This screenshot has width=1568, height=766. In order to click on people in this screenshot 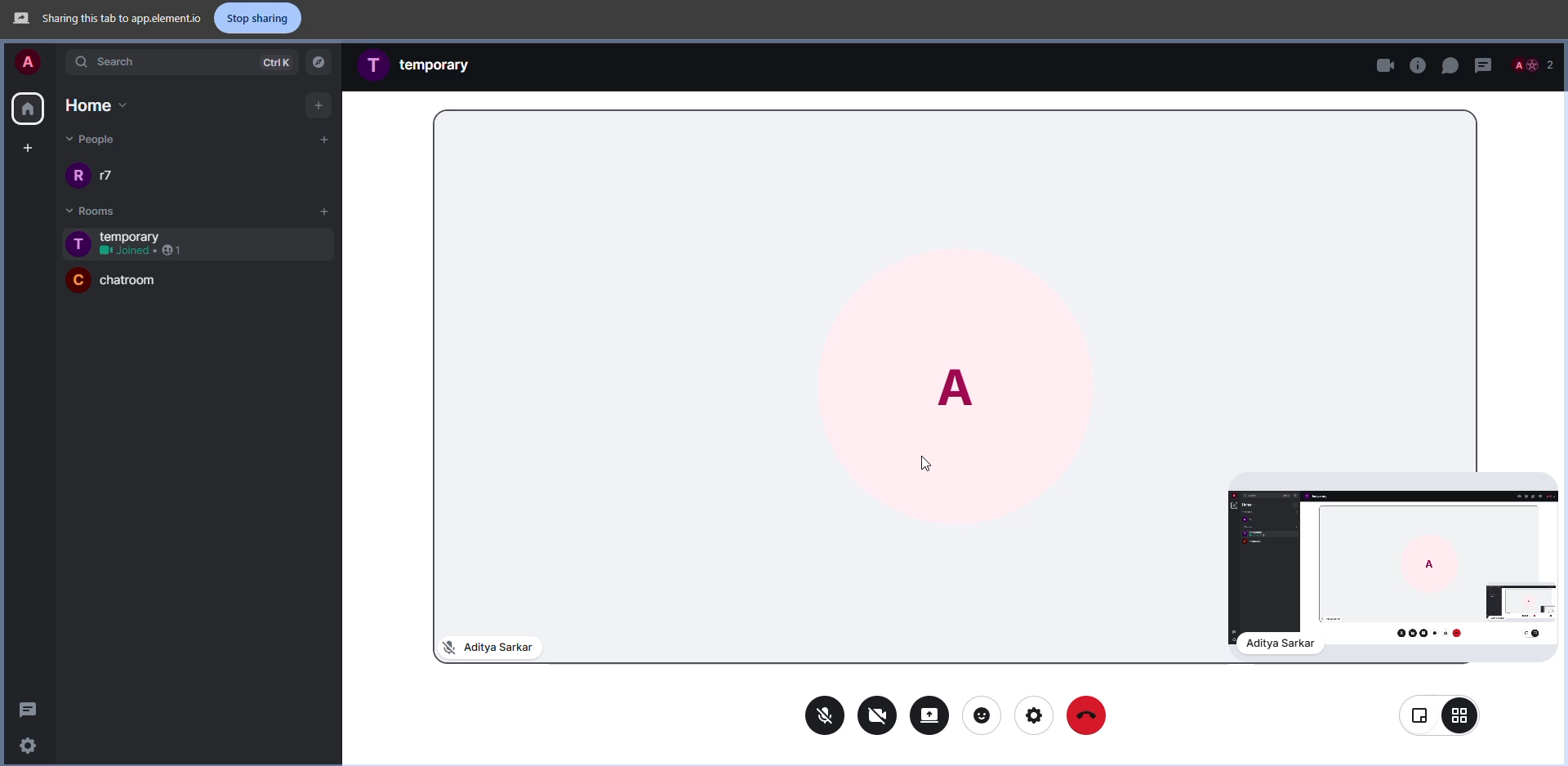, I will do `click(1535, 65)`.